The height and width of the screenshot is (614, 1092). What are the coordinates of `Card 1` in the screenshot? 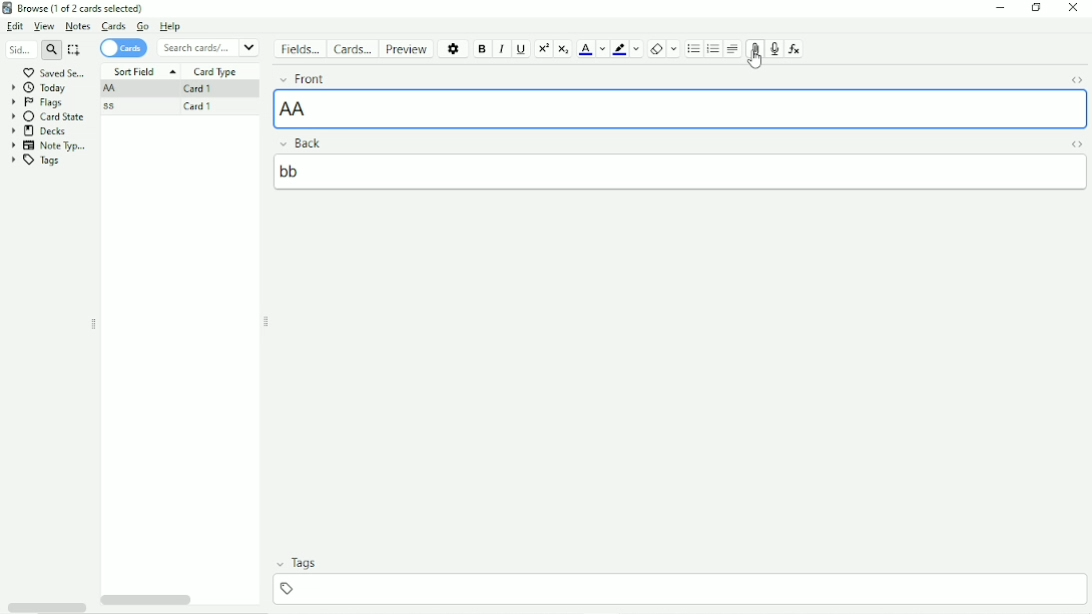 It's located at (199, 88).